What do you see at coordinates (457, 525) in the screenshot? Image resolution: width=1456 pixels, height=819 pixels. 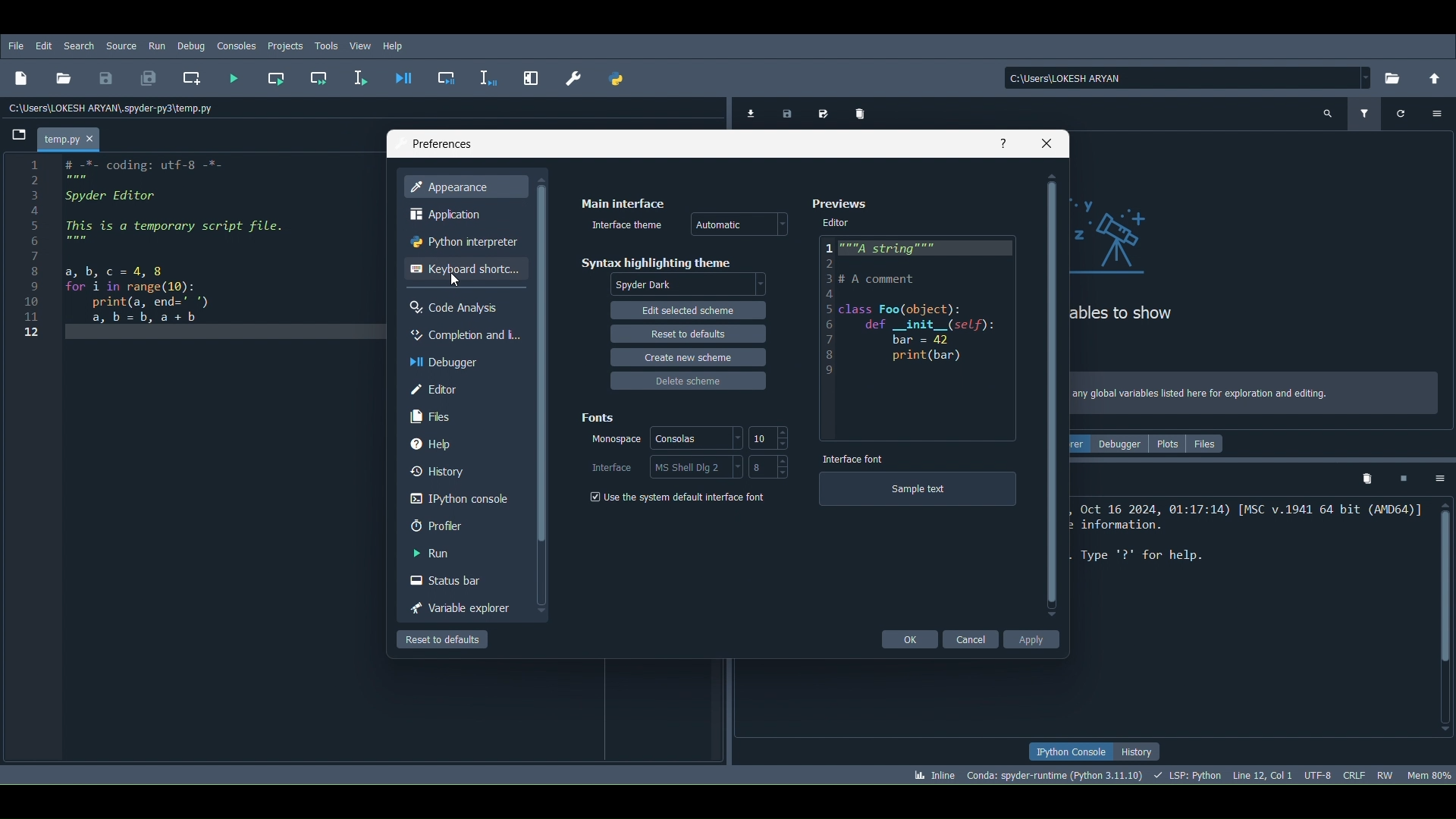 I see `Profiler` at bounding box center [457, 525].